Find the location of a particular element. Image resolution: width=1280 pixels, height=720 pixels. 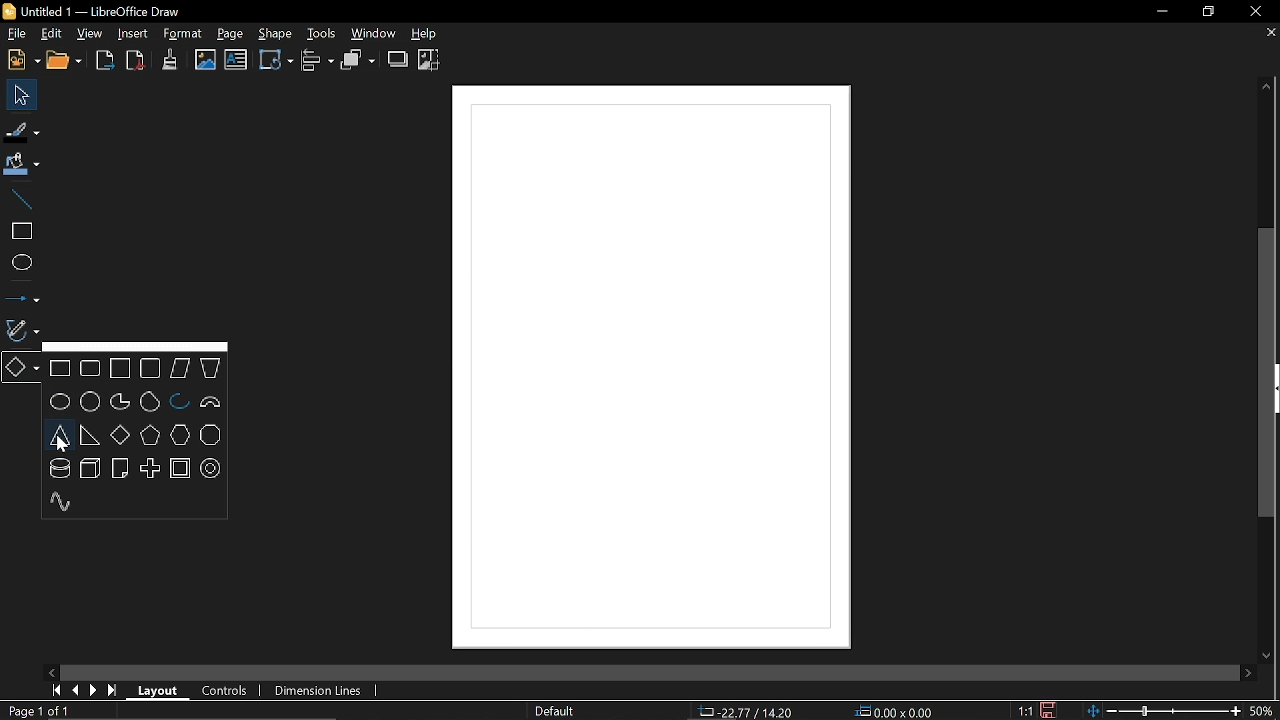

Page is located at coordinates (230, 34).